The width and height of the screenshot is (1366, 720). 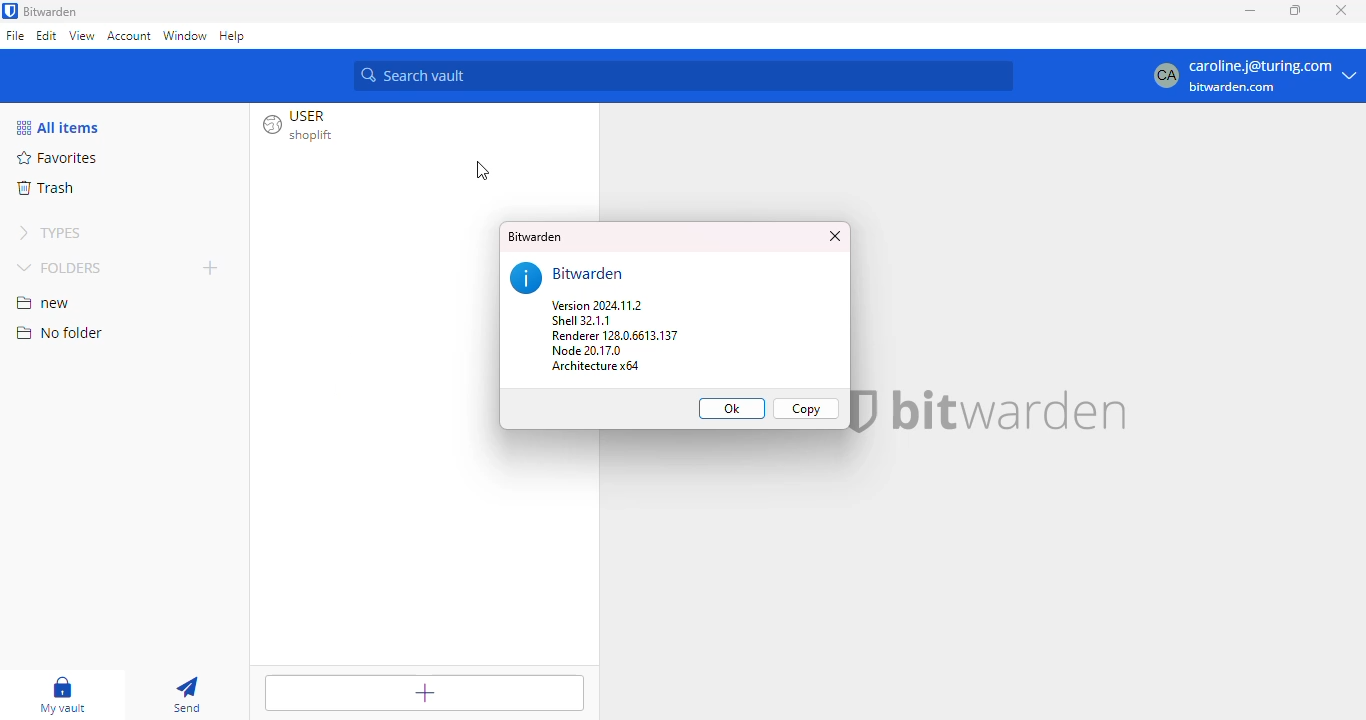 What do you see at coordinates (598, 350) in the screenshot?
I see `Node 2017.0` at bounding box center [598, 350].